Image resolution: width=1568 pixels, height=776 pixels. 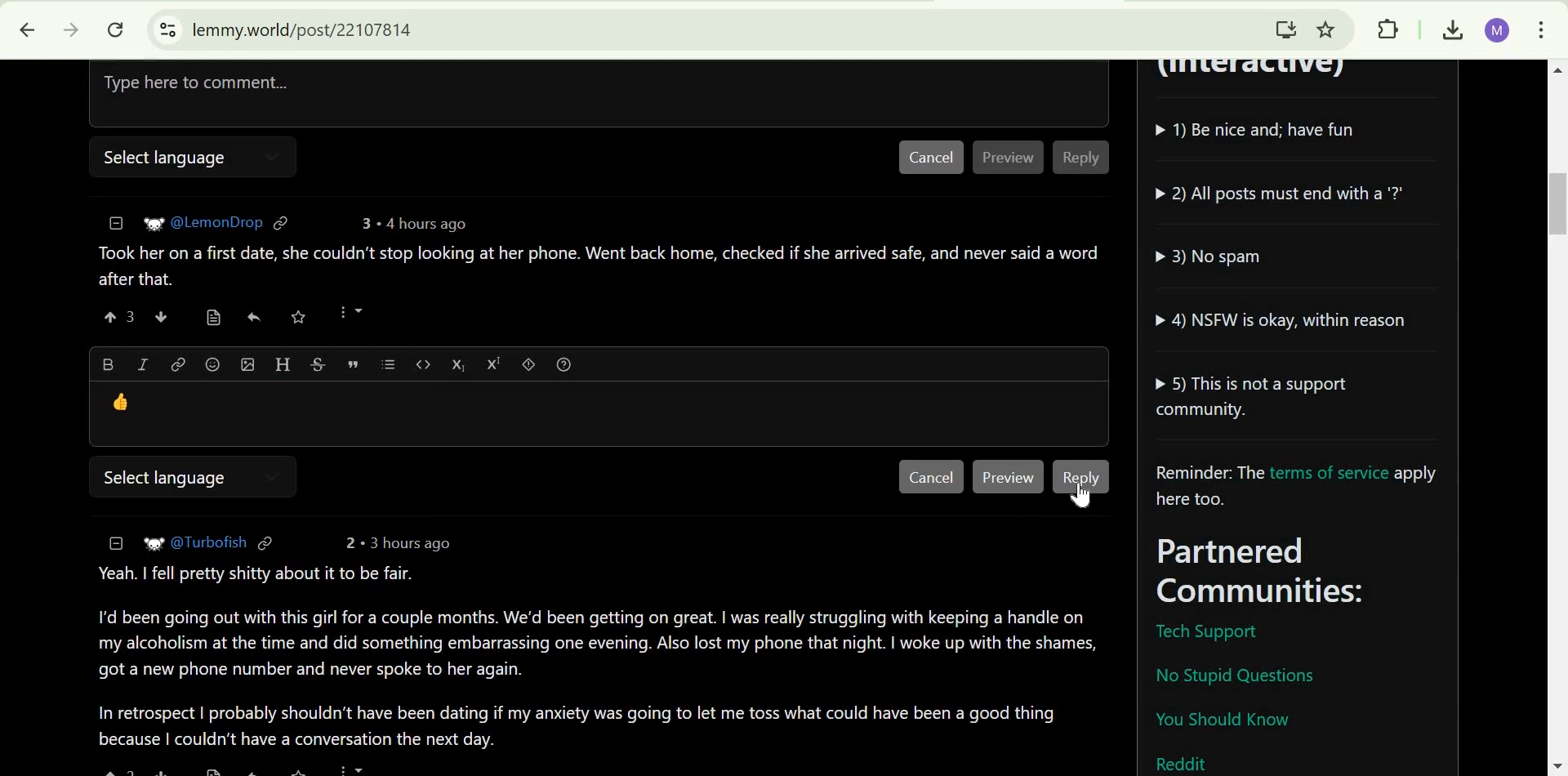 What do you see at coordinates (1288, 265) in the screenshot?
I see `community guidelines` at bounding box center [1288, 265].